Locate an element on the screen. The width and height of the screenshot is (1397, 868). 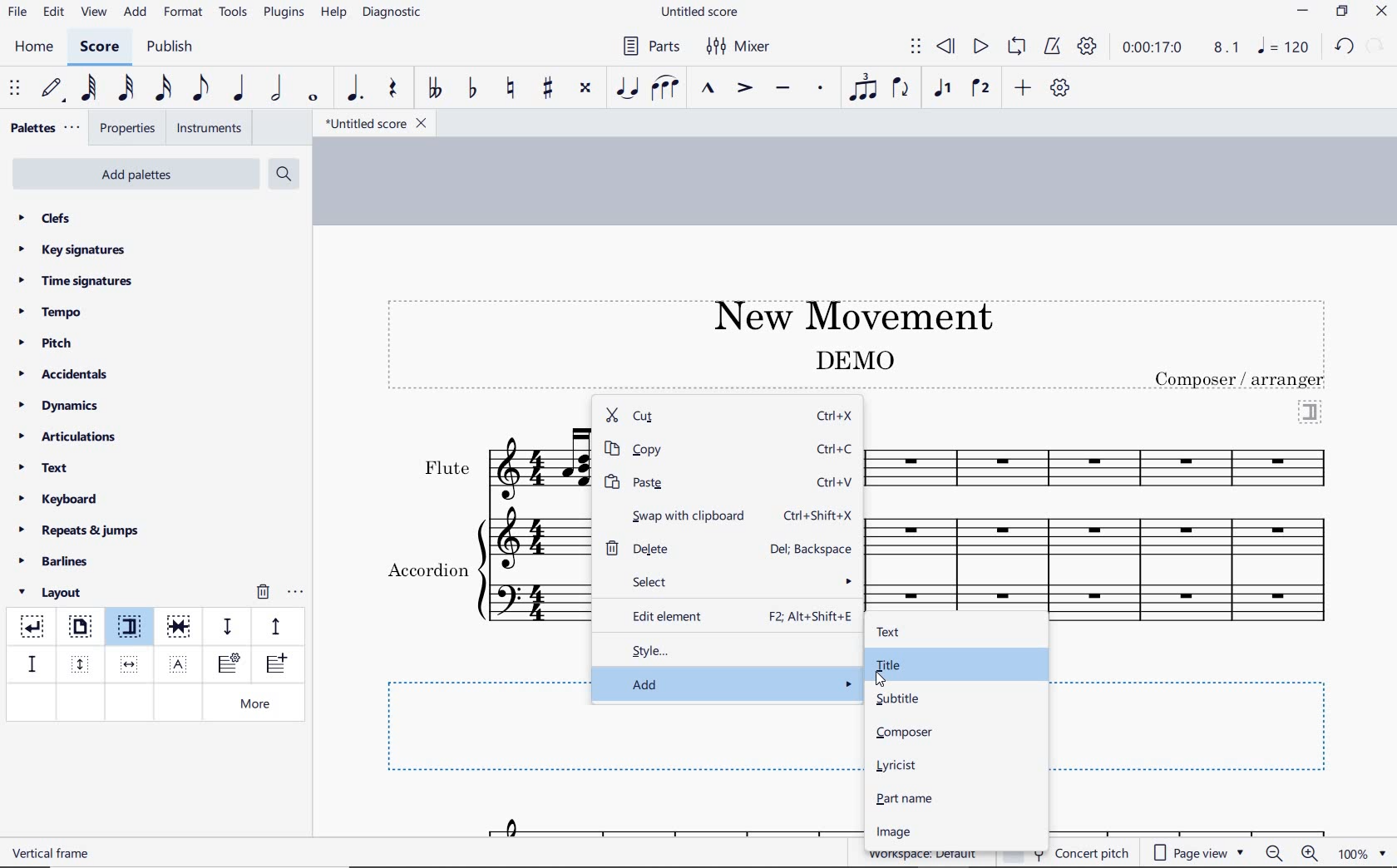
pitch is located at coordinates (52, 343).